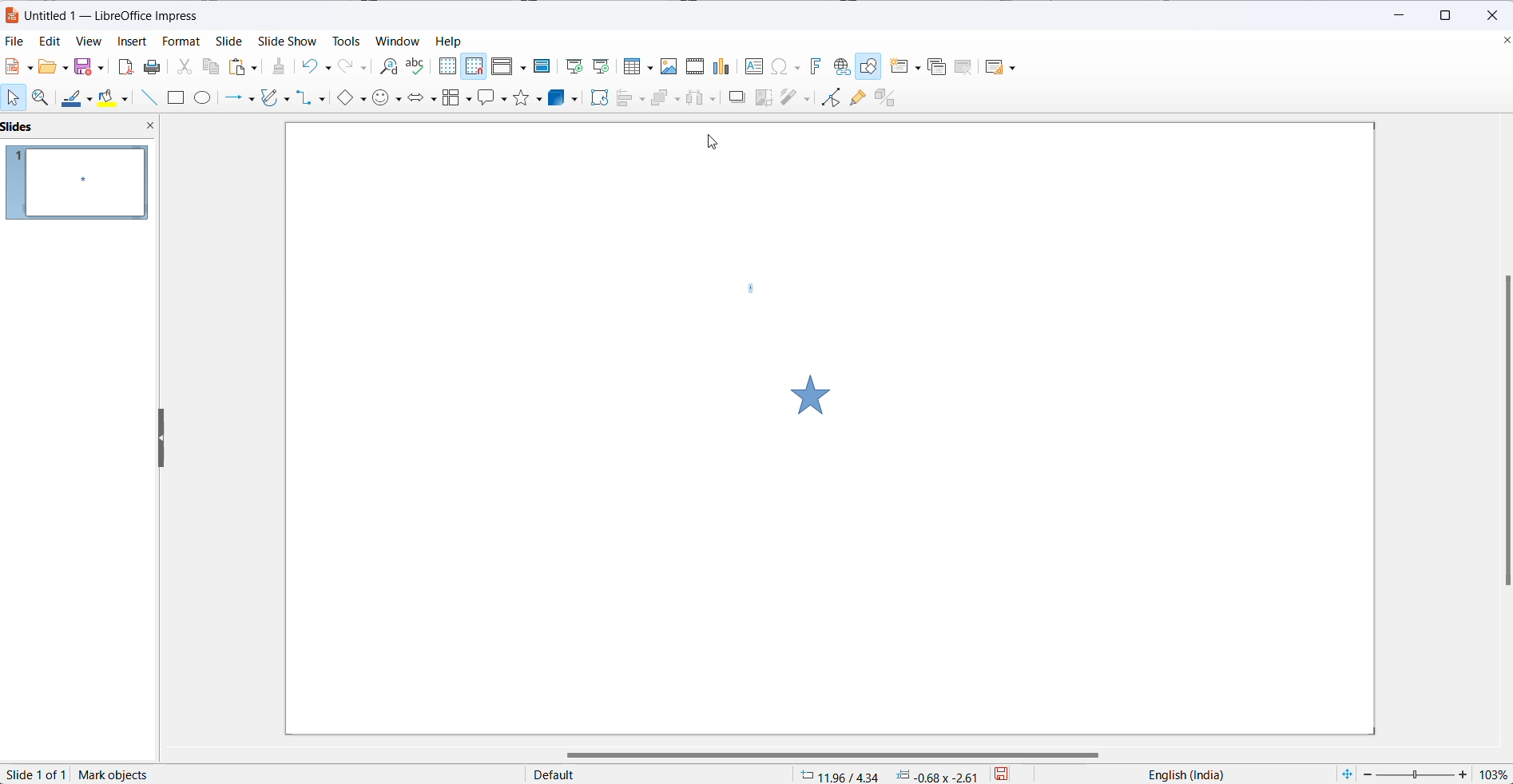 This screenshot has width=1513, height=784. I want to click on rectangle, so click(178, 99).